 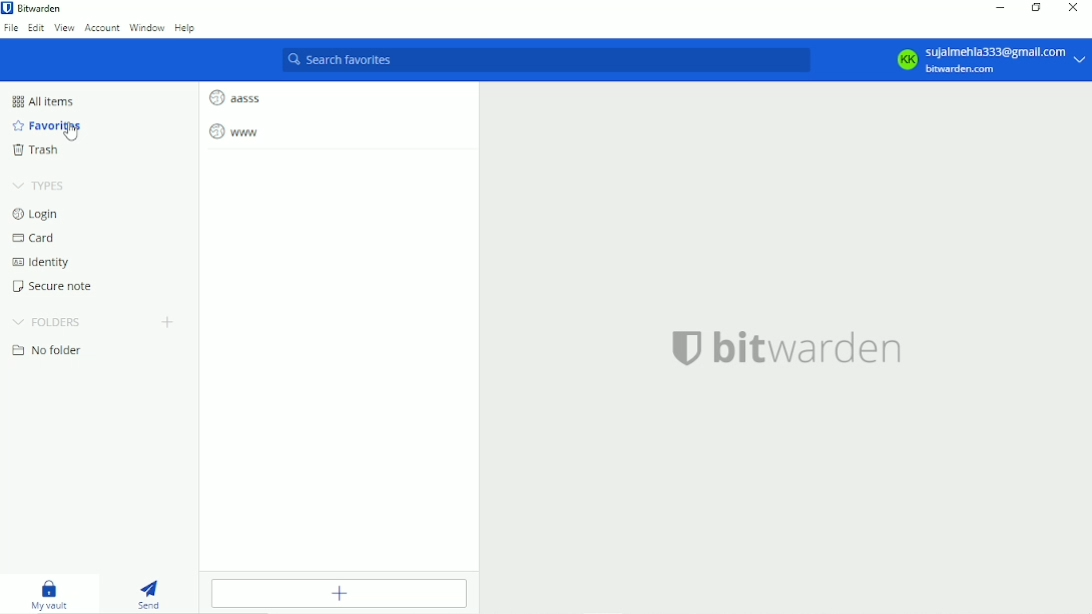 What do you see at coordinates (547, 61) in the screenshot?
I see `Search vault` at bounding box center [547, 61].